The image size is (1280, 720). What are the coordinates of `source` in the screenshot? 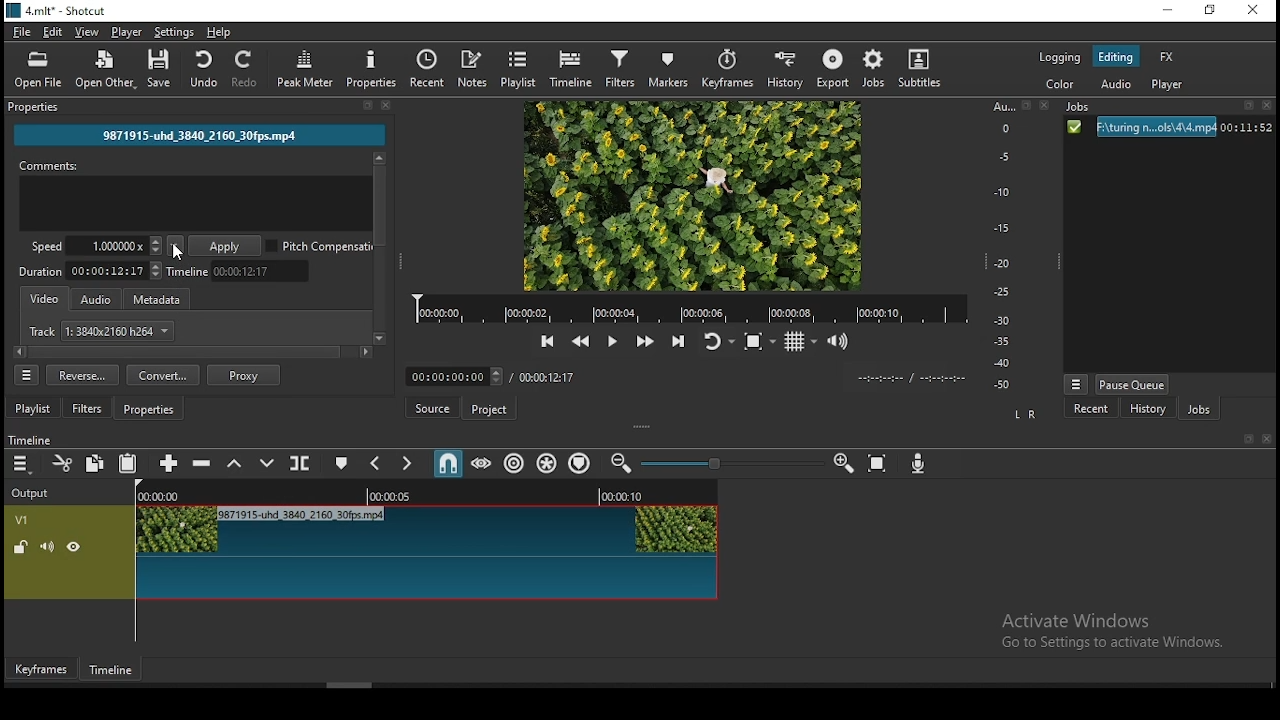 It's located at (434, 407).